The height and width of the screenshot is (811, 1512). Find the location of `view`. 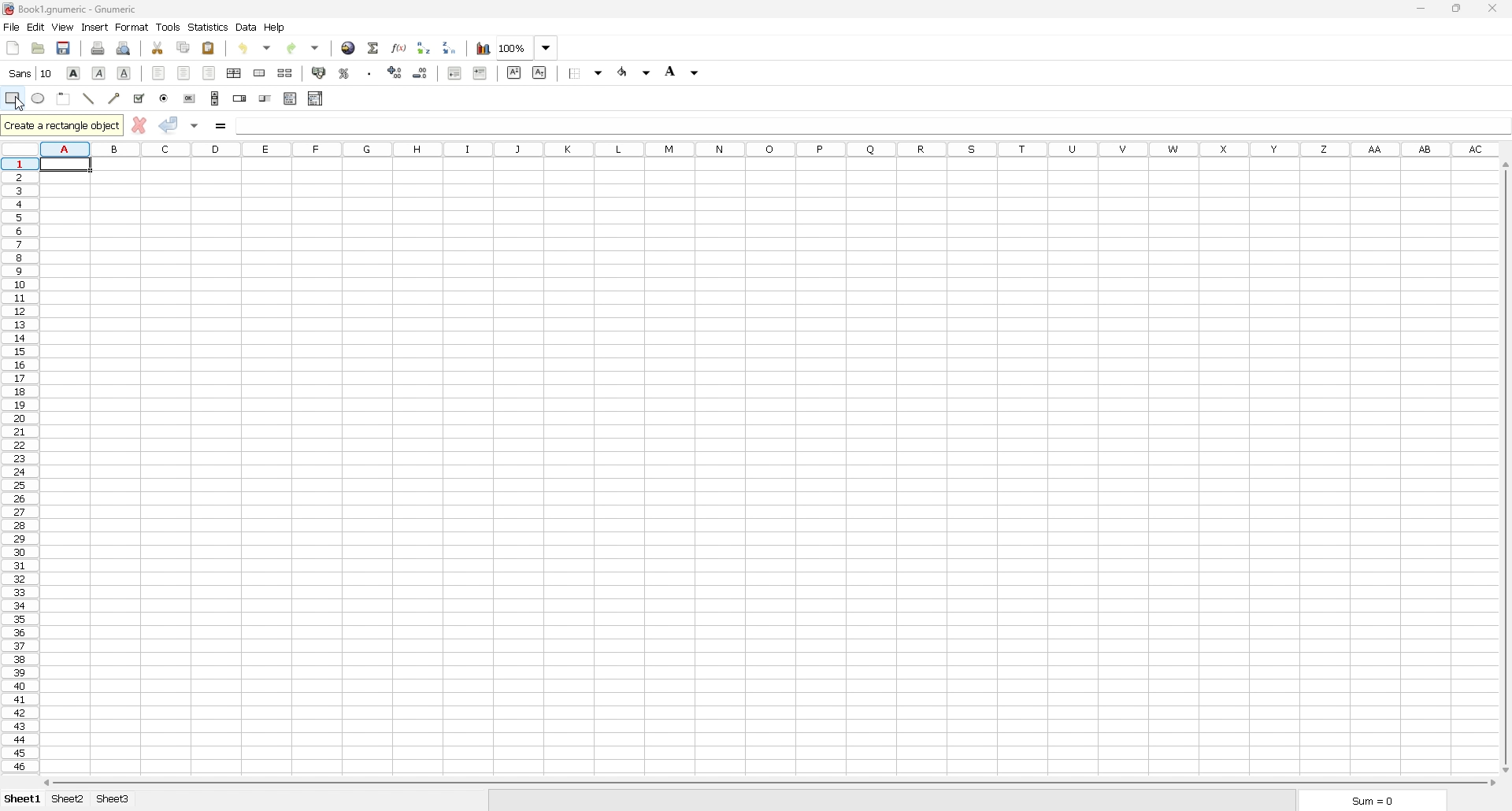

view is located at coordinates (62, 27).